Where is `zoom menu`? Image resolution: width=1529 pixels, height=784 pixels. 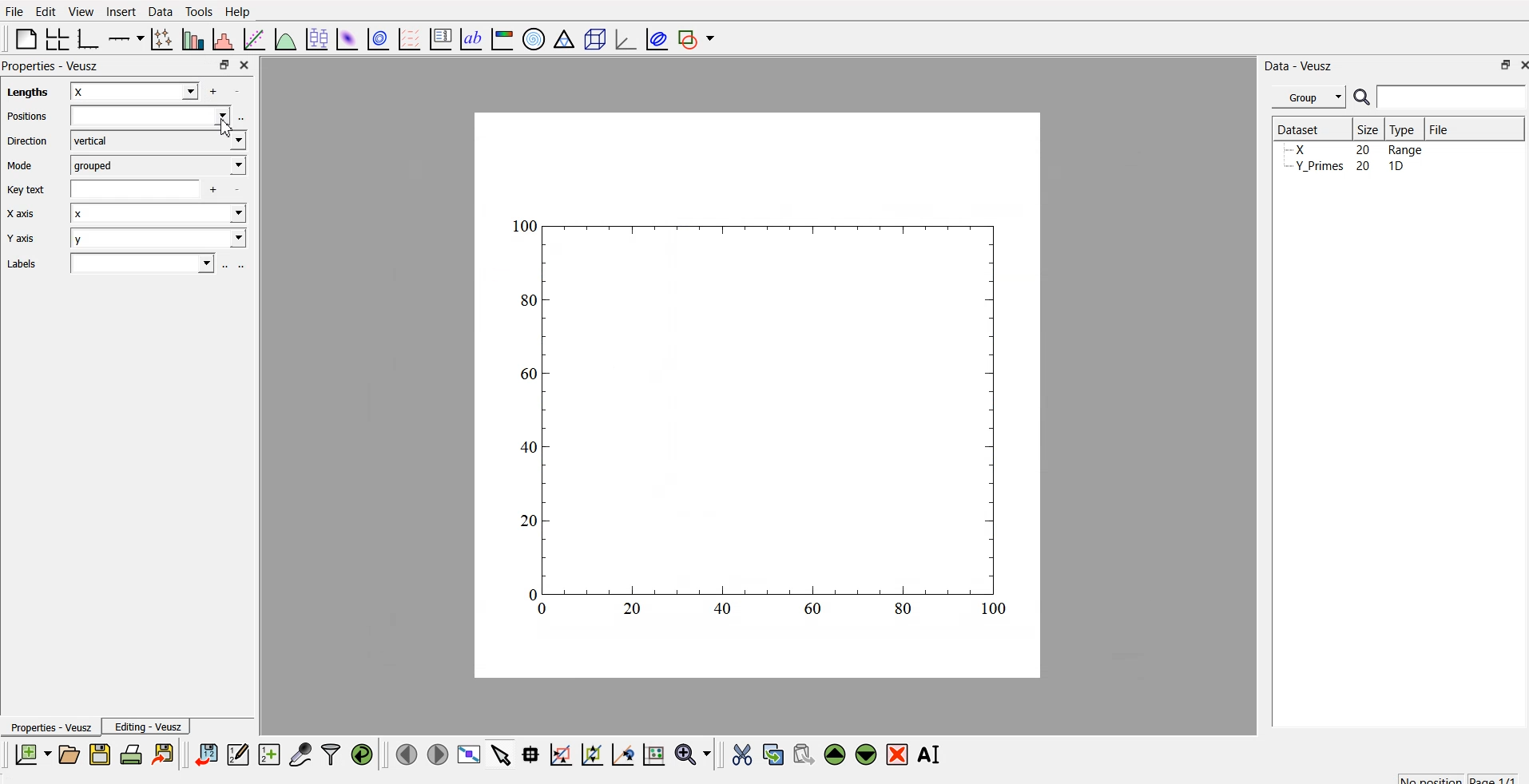 zoom menu is located at coordinates (693, 754).